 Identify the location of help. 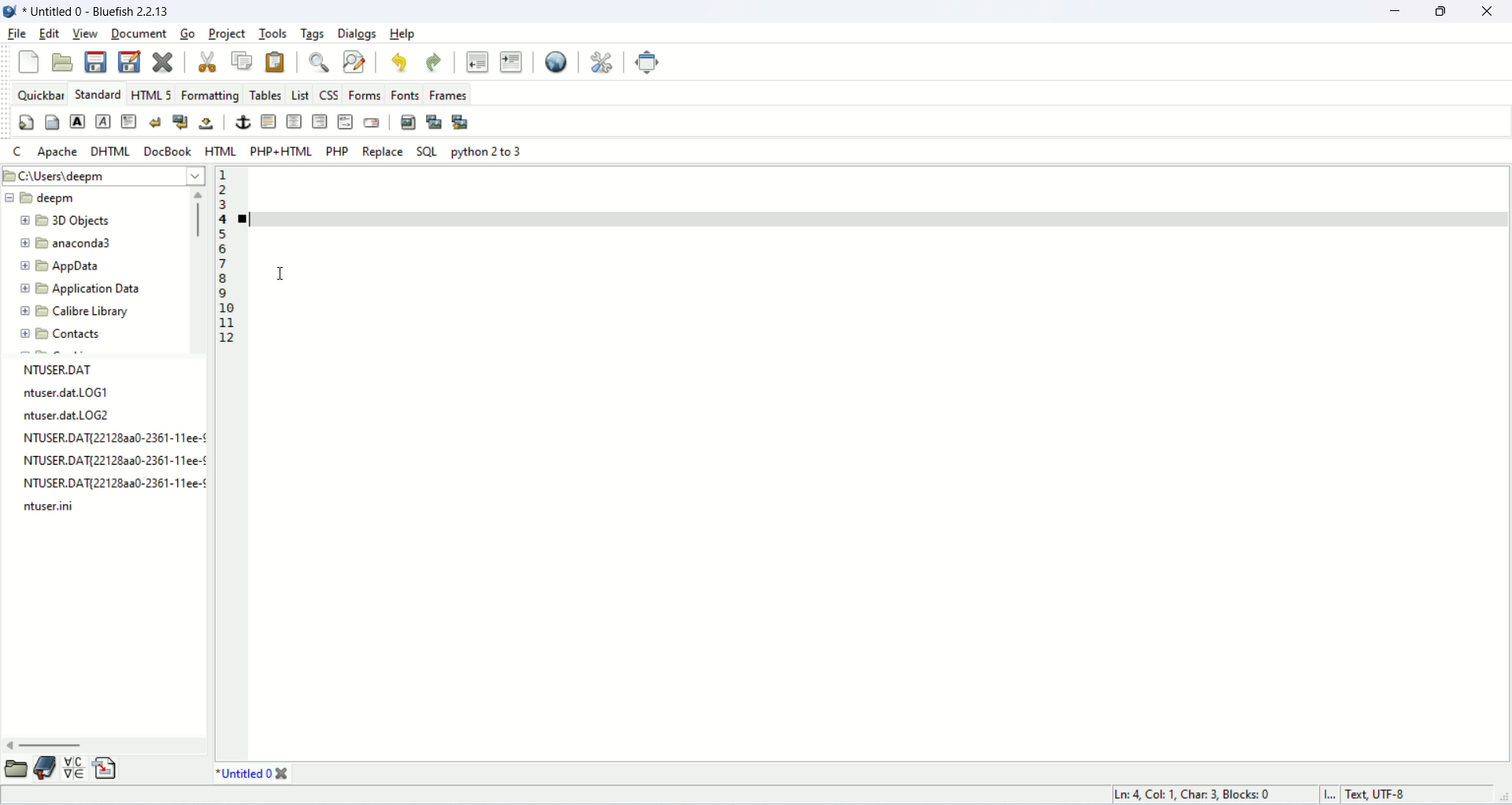
(403, 33).